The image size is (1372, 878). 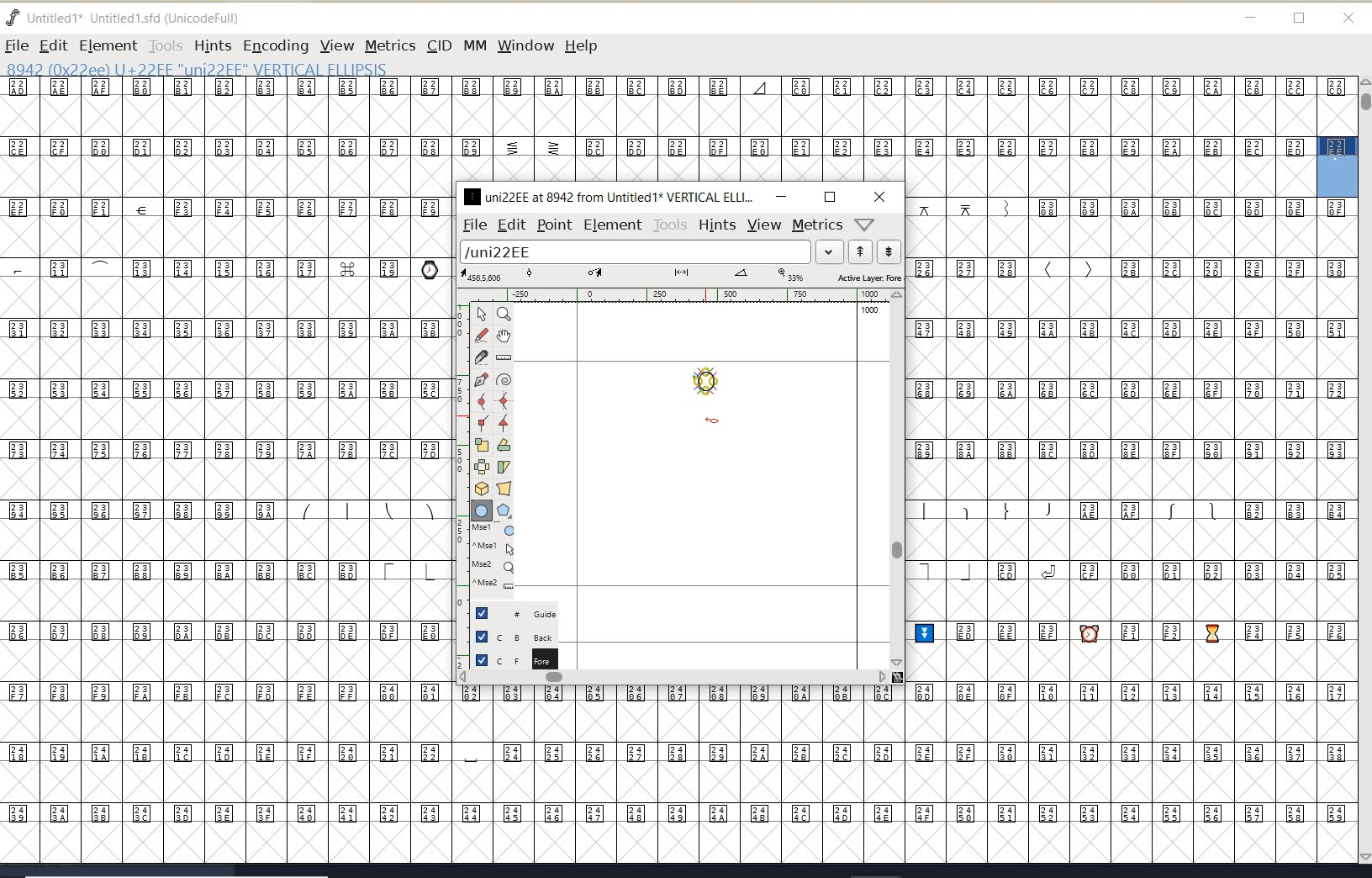 What do you see at coordinates (673, 679) in the screenshot?
I see `scrollbar` at bounding box center [673, 679].